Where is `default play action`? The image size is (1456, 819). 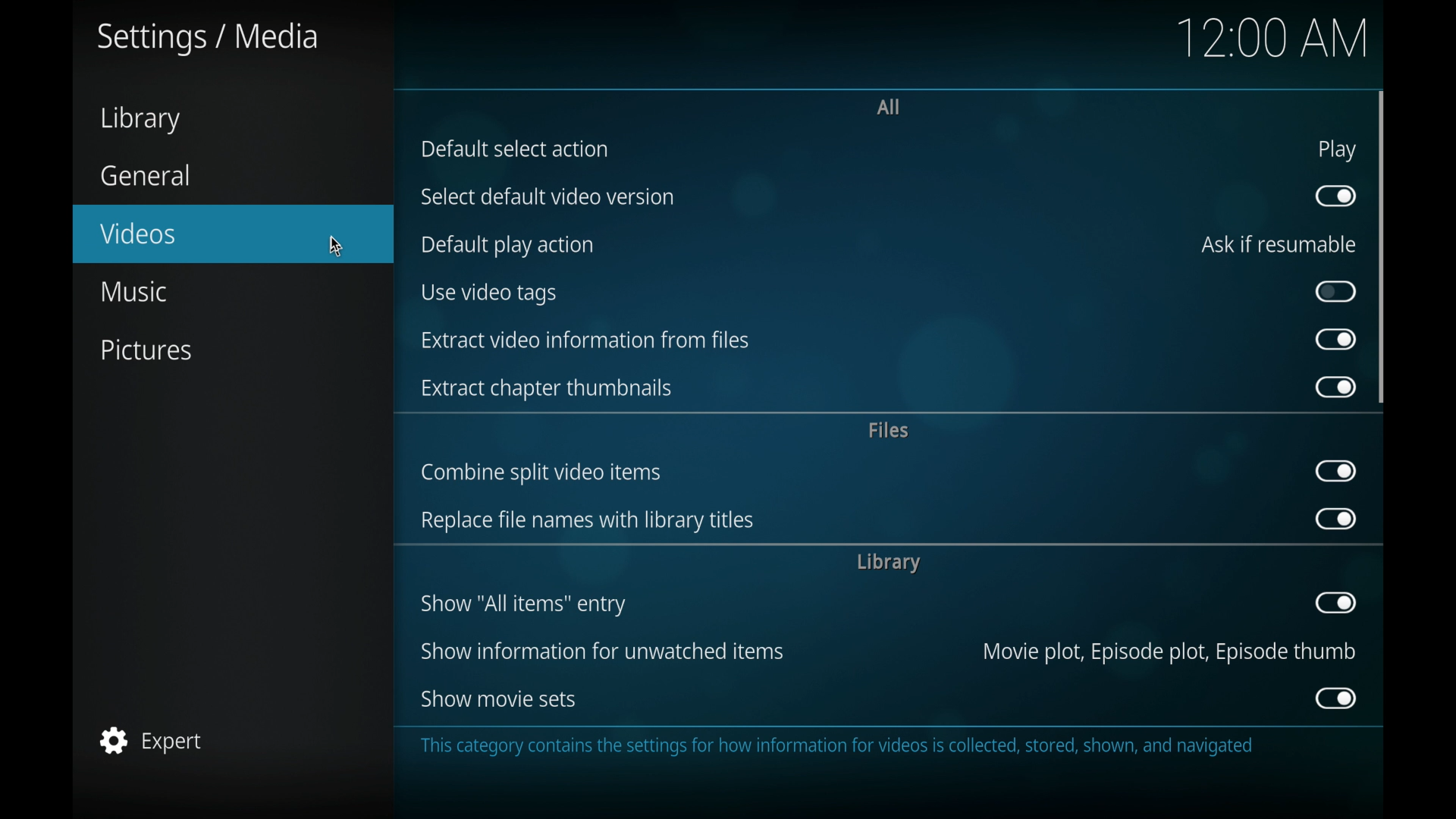 default play action is located at coordinates (506, 246).